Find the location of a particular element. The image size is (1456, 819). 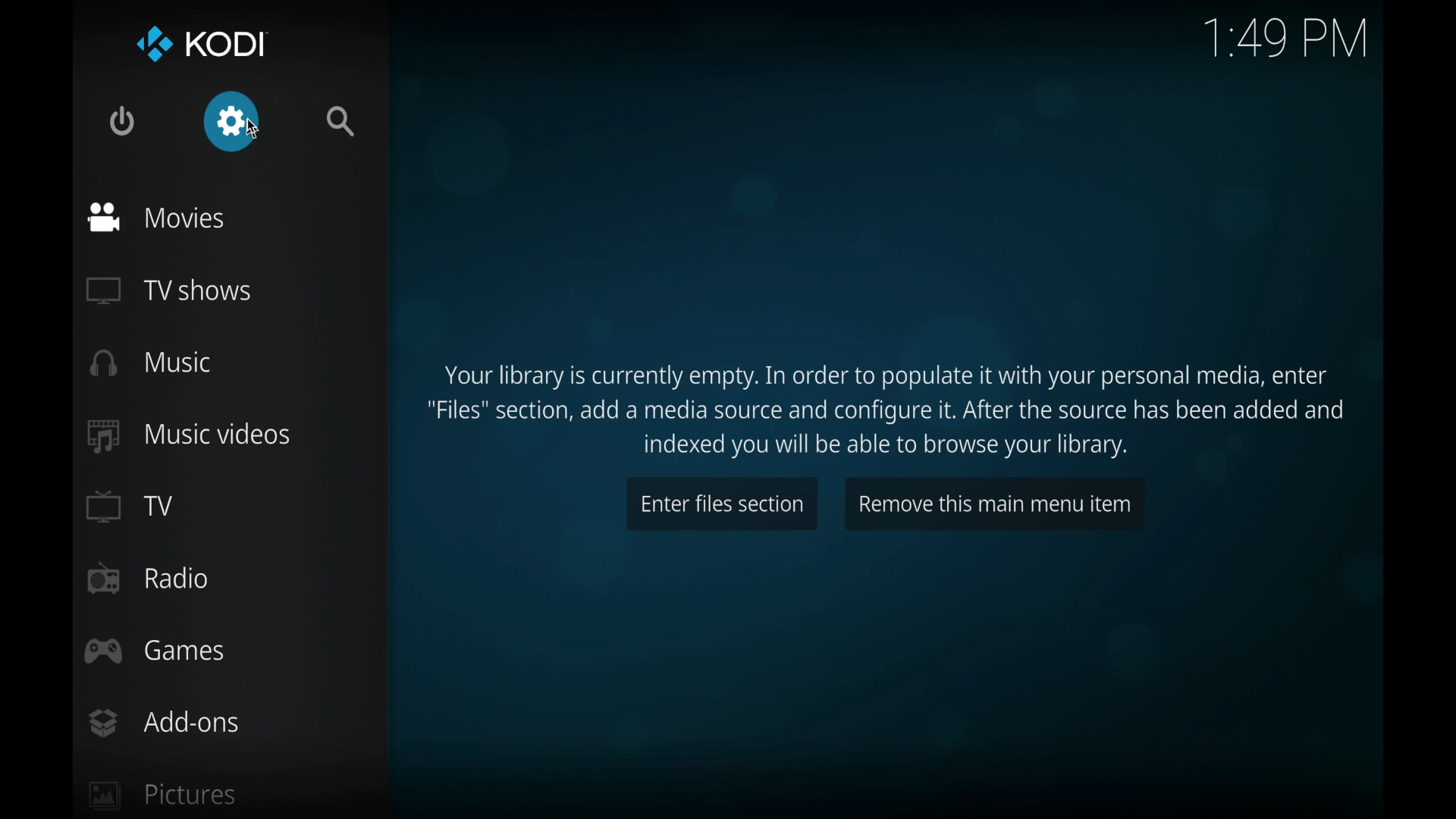

TV shows is located at coordinates (165, 290).